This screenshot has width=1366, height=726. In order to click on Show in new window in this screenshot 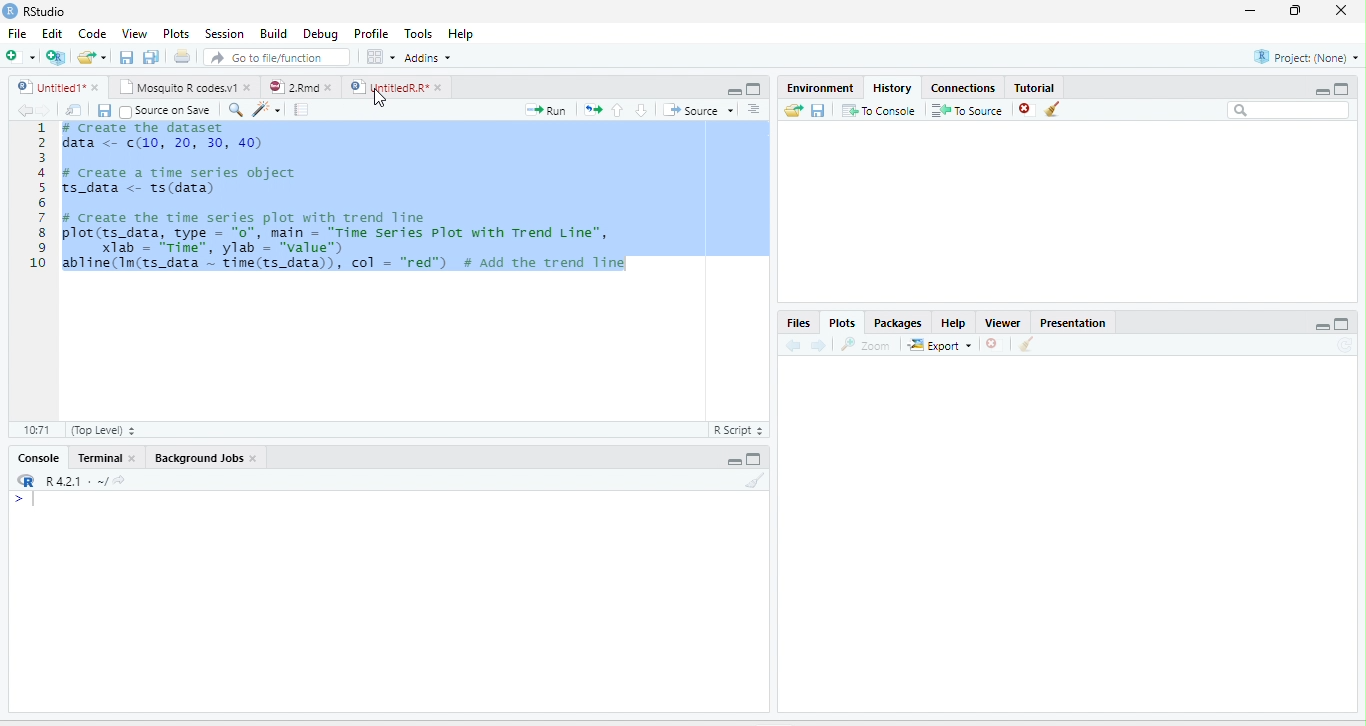, I will do `click(74, 109)`.